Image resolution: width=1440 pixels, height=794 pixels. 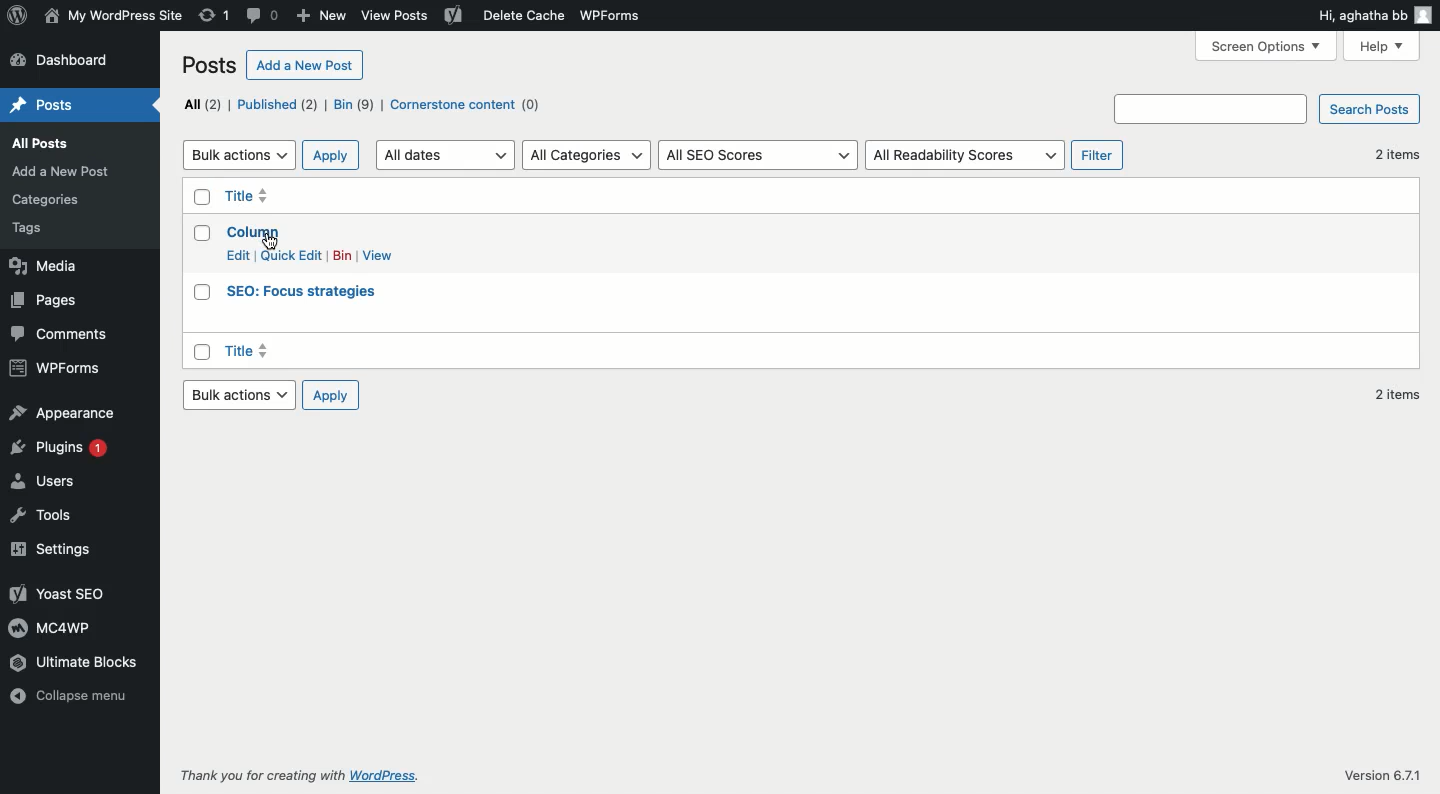 I want to click on Screen options, so click(x=1266, y=46).